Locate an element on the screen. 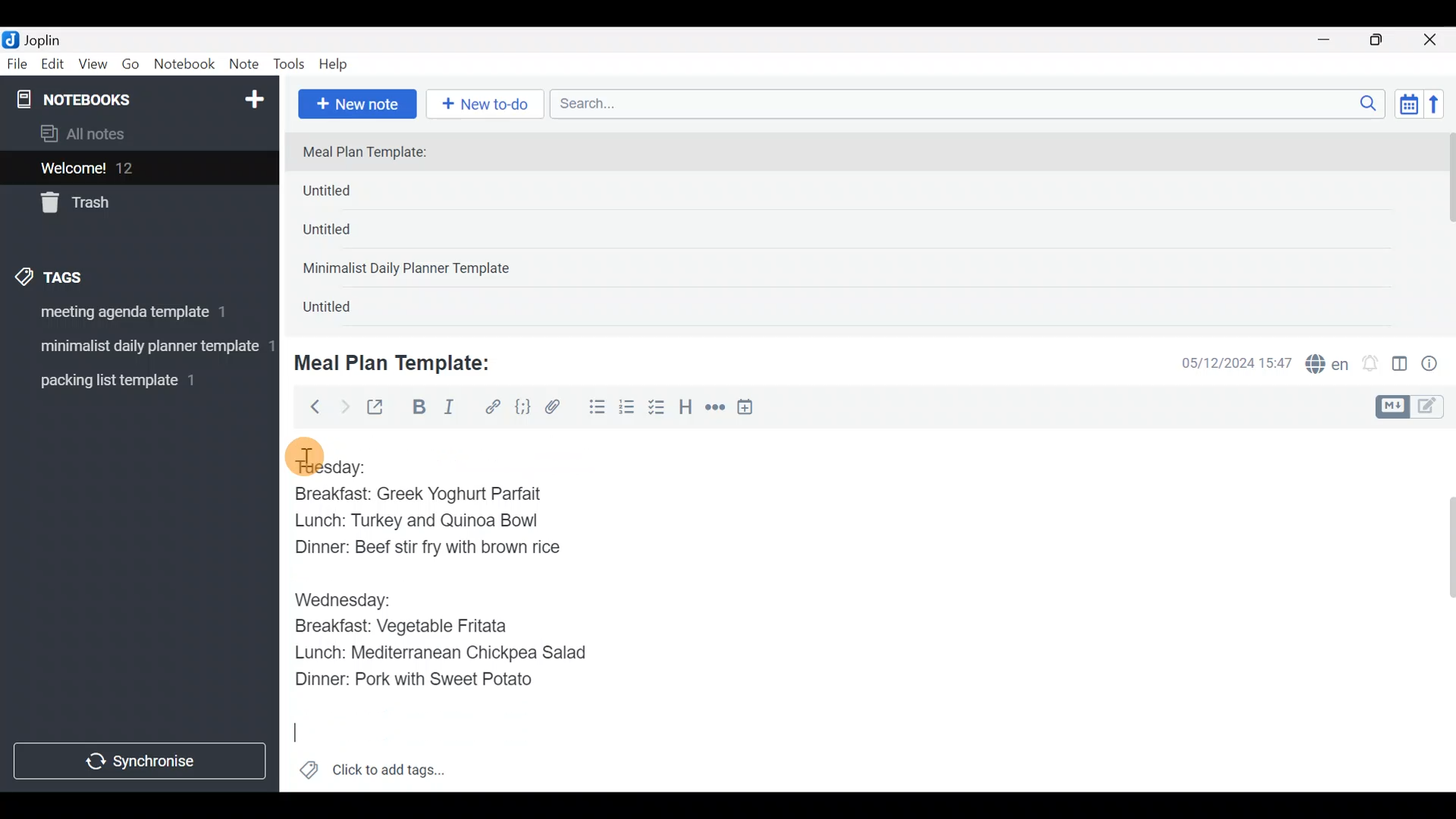 The height and width of the screenshot is (819, 1456). Tools is located at coordinates (290, 65).